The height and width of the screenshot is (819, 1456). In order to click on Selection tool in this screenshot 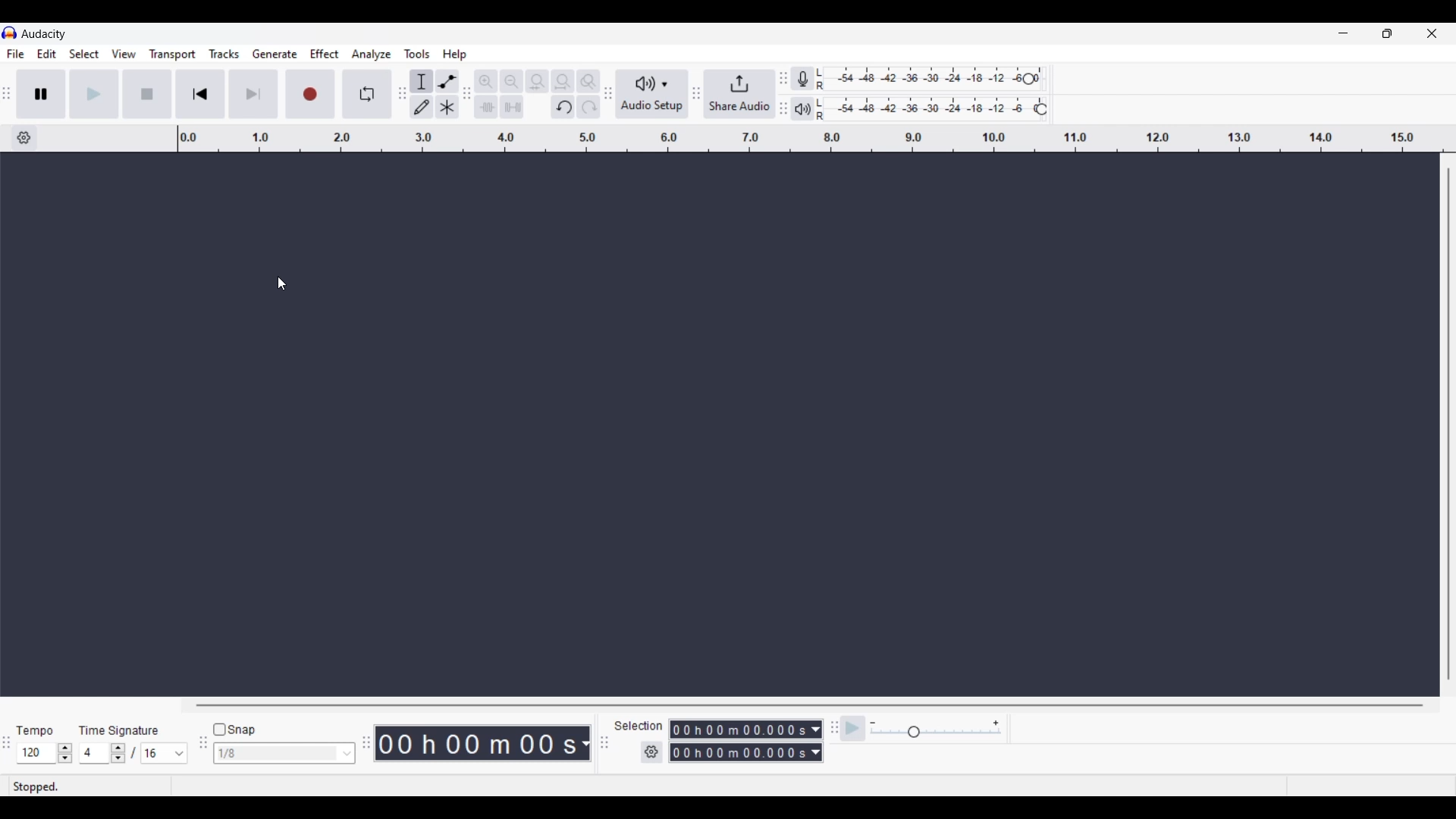, I will do `click(422, 81)`.